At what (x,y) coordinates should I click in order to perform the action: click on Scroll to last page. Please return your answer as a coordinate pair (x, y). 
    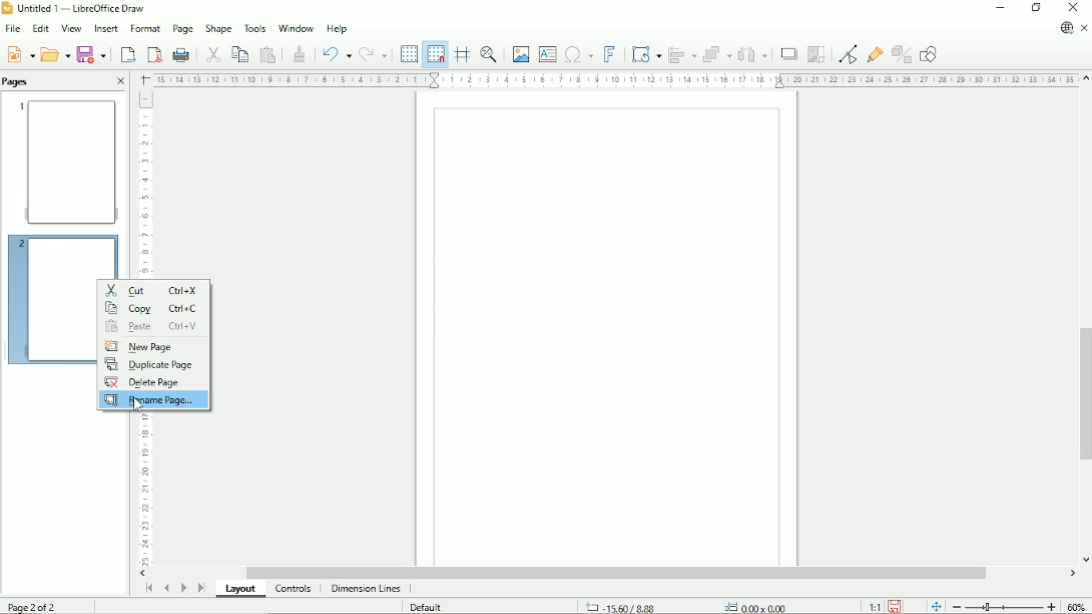
    Looking at the image, I should click on (202, 587).